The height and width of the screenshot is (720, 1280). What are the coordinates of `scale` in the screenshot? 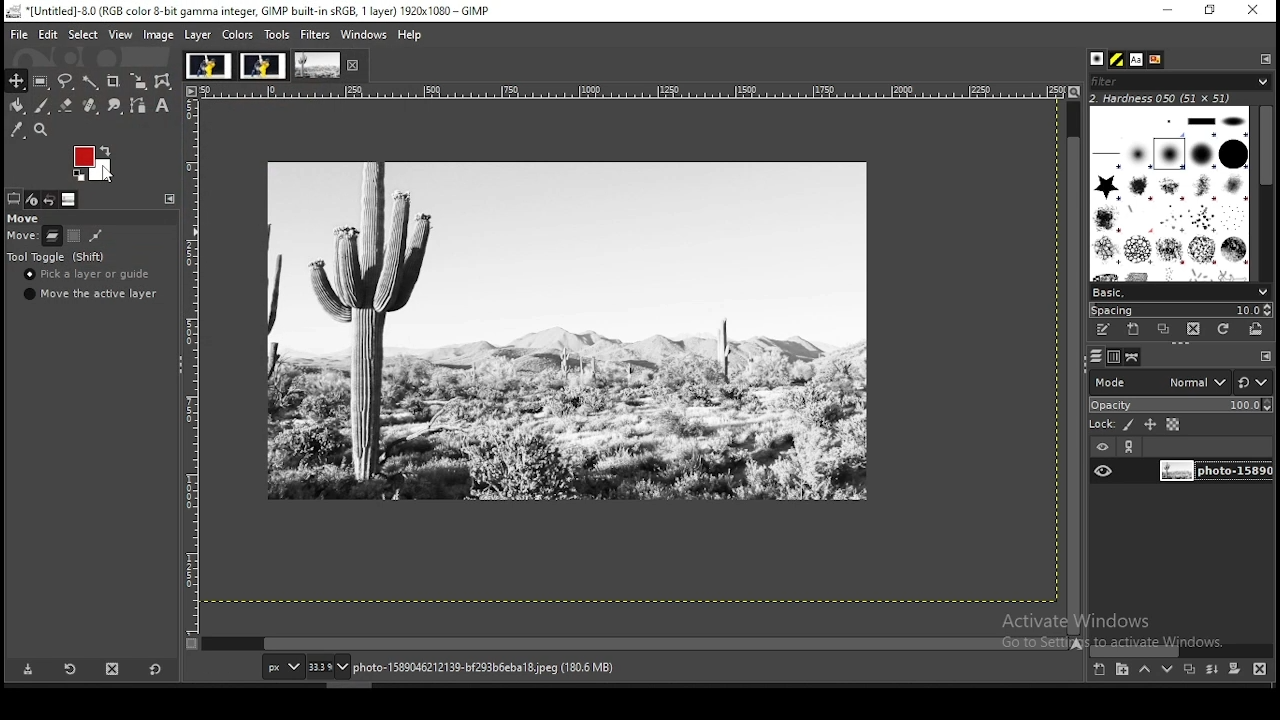 It's located at (629, 91).